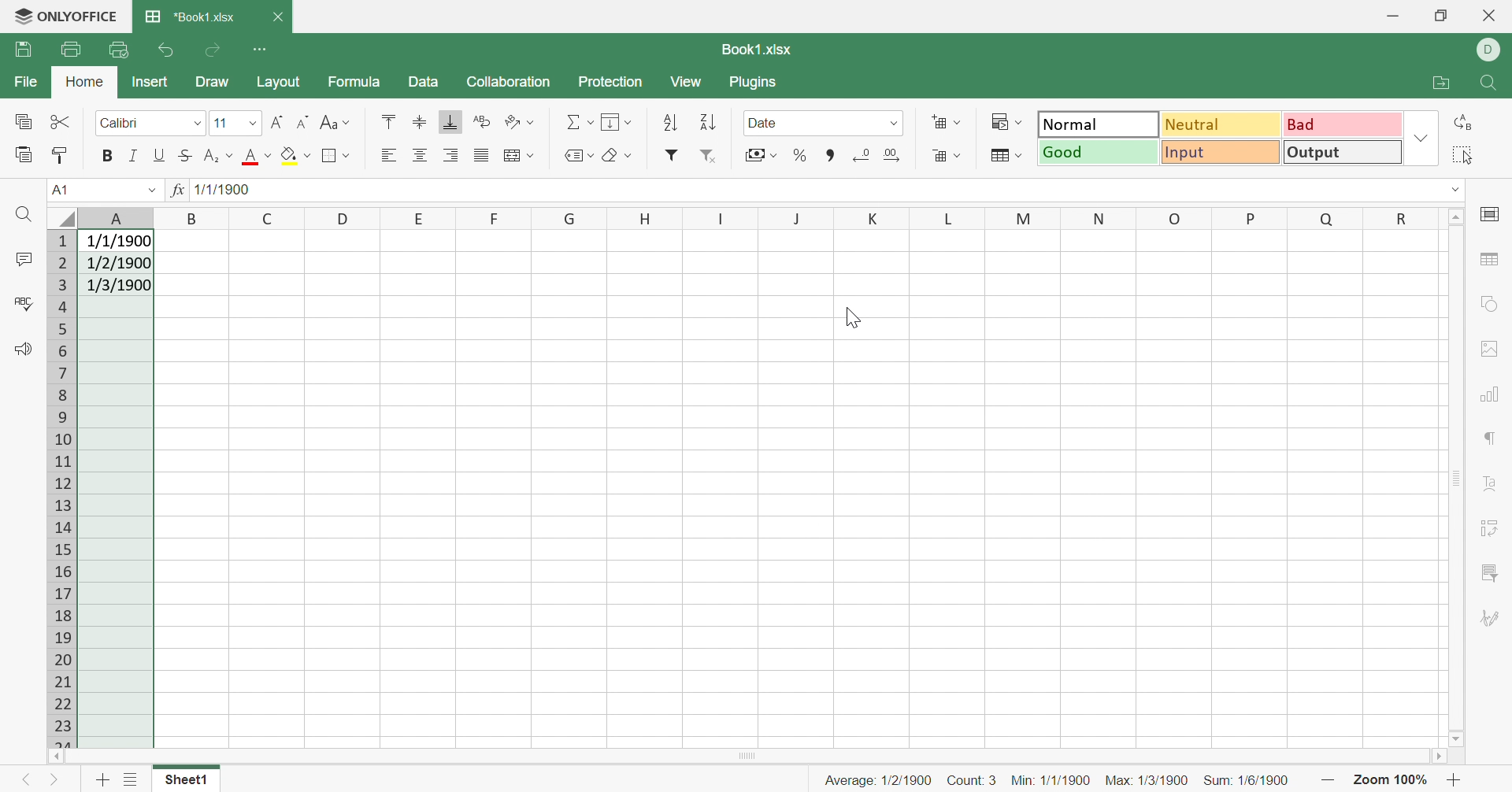 Image resolution: width=1512 pixels, height=792 pixels. Describe the element at coordinates (1489, 51) in the screenshot. I see `DELL` at that location.